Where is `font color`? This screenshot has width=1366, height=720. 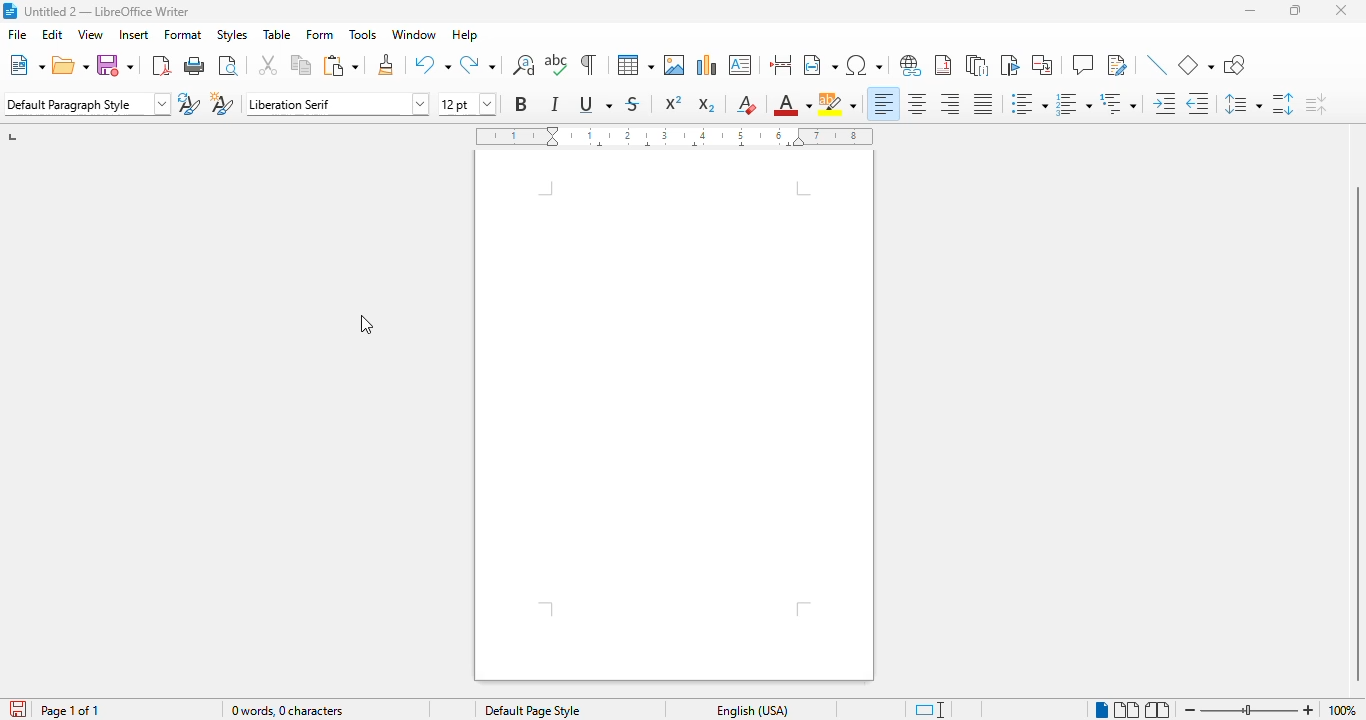 font color is located at coordinates (792, 105).